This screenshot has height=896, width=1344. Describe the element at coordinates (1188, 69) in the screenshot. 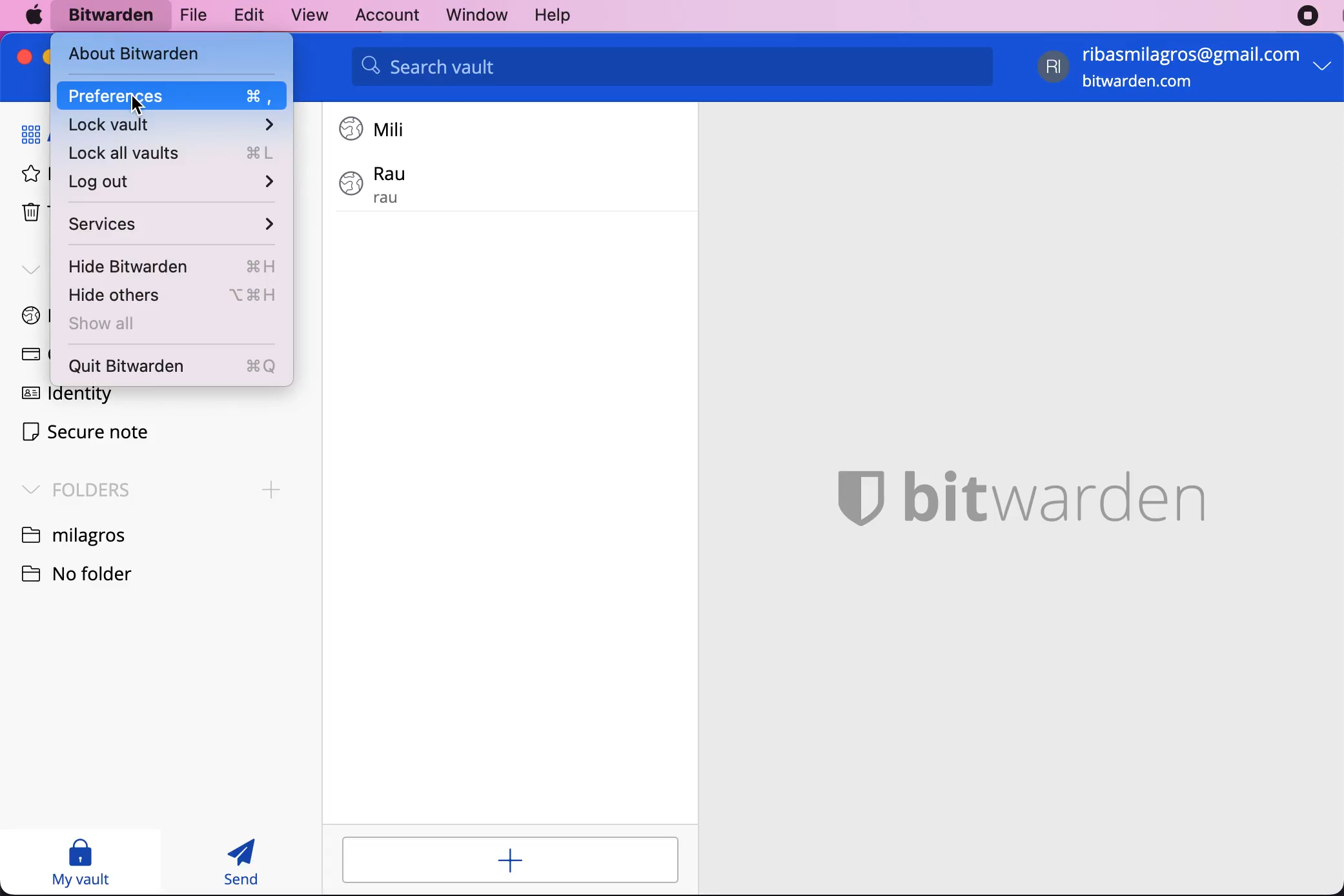

I see `account` at that location.